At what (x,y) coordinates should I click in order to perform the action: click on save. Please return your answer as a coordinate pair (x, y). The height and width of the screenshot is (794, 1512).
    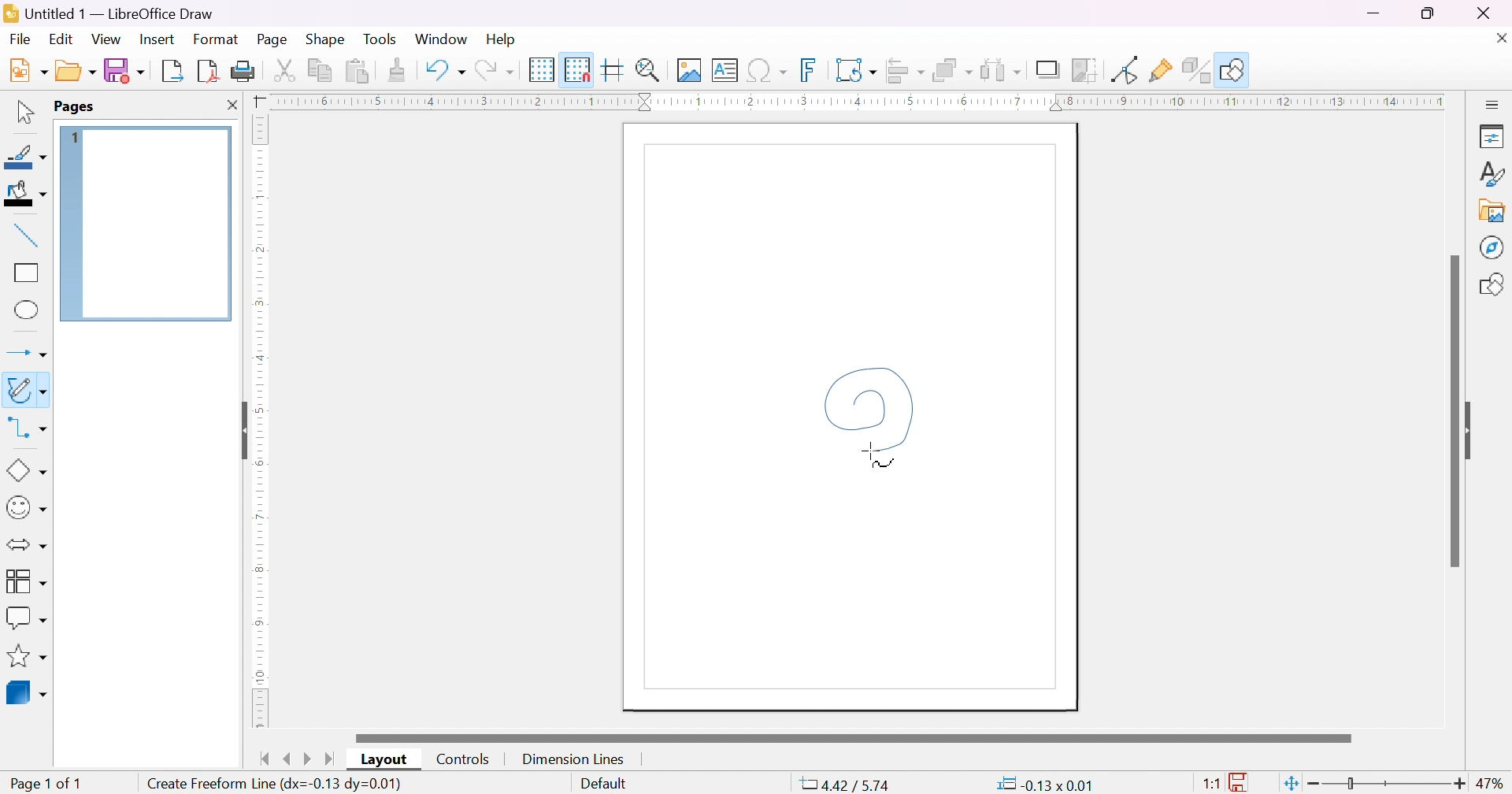
    Looking at the image, I should click on (126, 70).